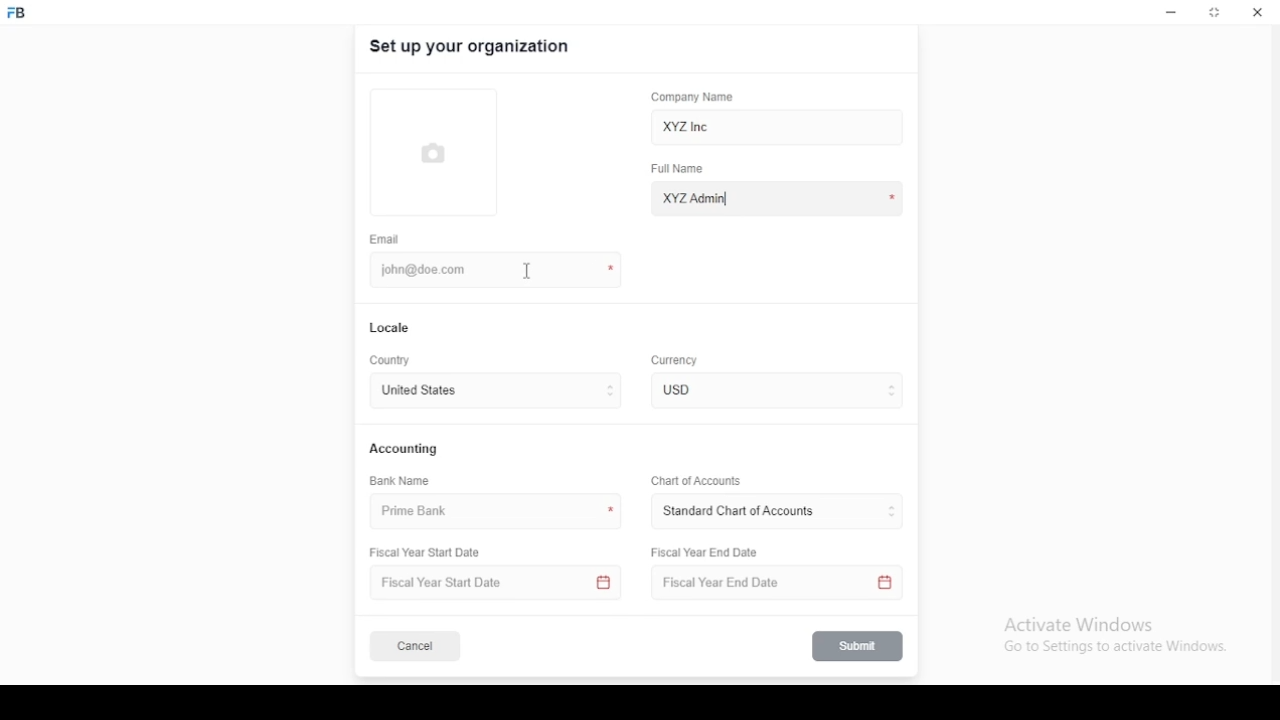 The image size is (1280, 720). I want to click on company name, so click(692, 97).